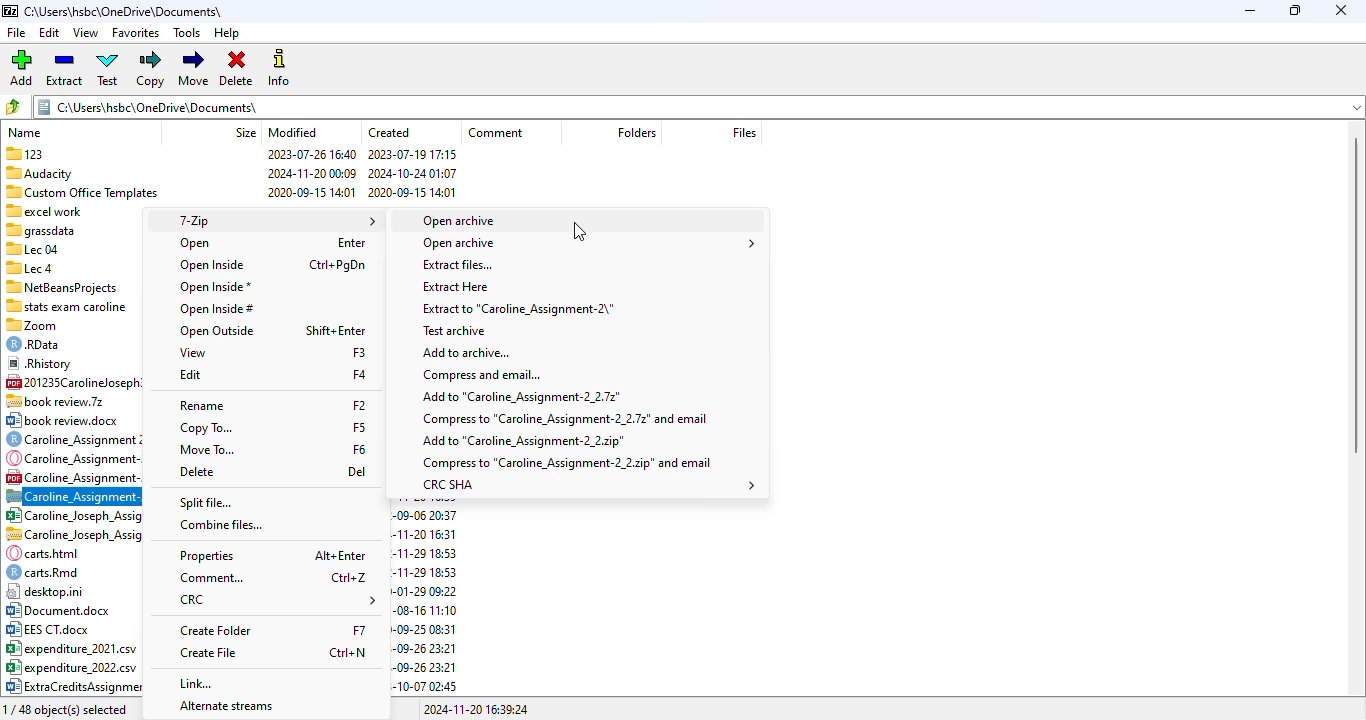 This screenshot has width=1366, height=720. Describe the element at coordinates (71, 267) in the screenshot. I see `Sllecd 2023-07-26 16:43 2023-07-26 16:41` at that location.